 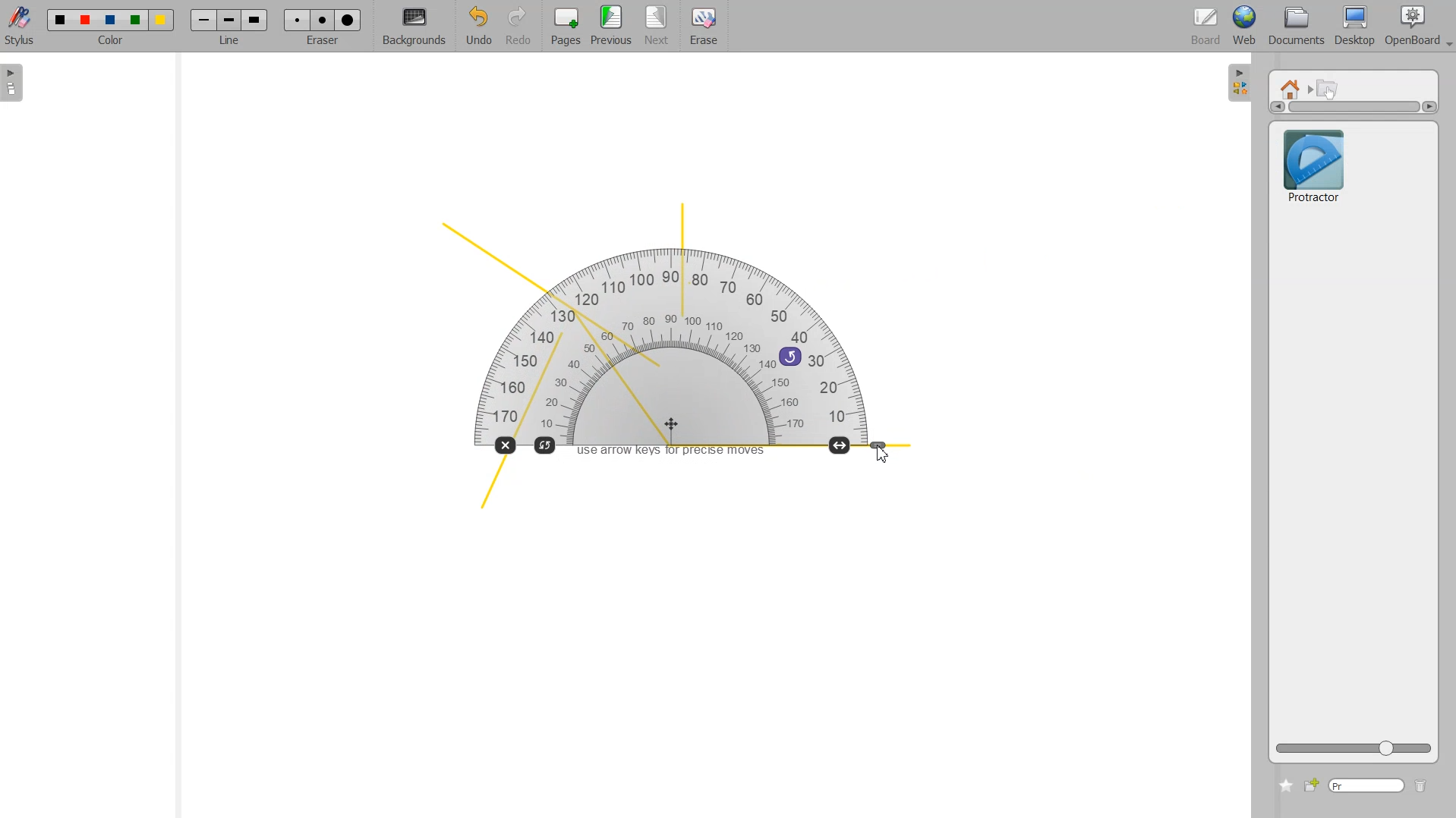 I want to click on Remove, so click(x=504, y=445).